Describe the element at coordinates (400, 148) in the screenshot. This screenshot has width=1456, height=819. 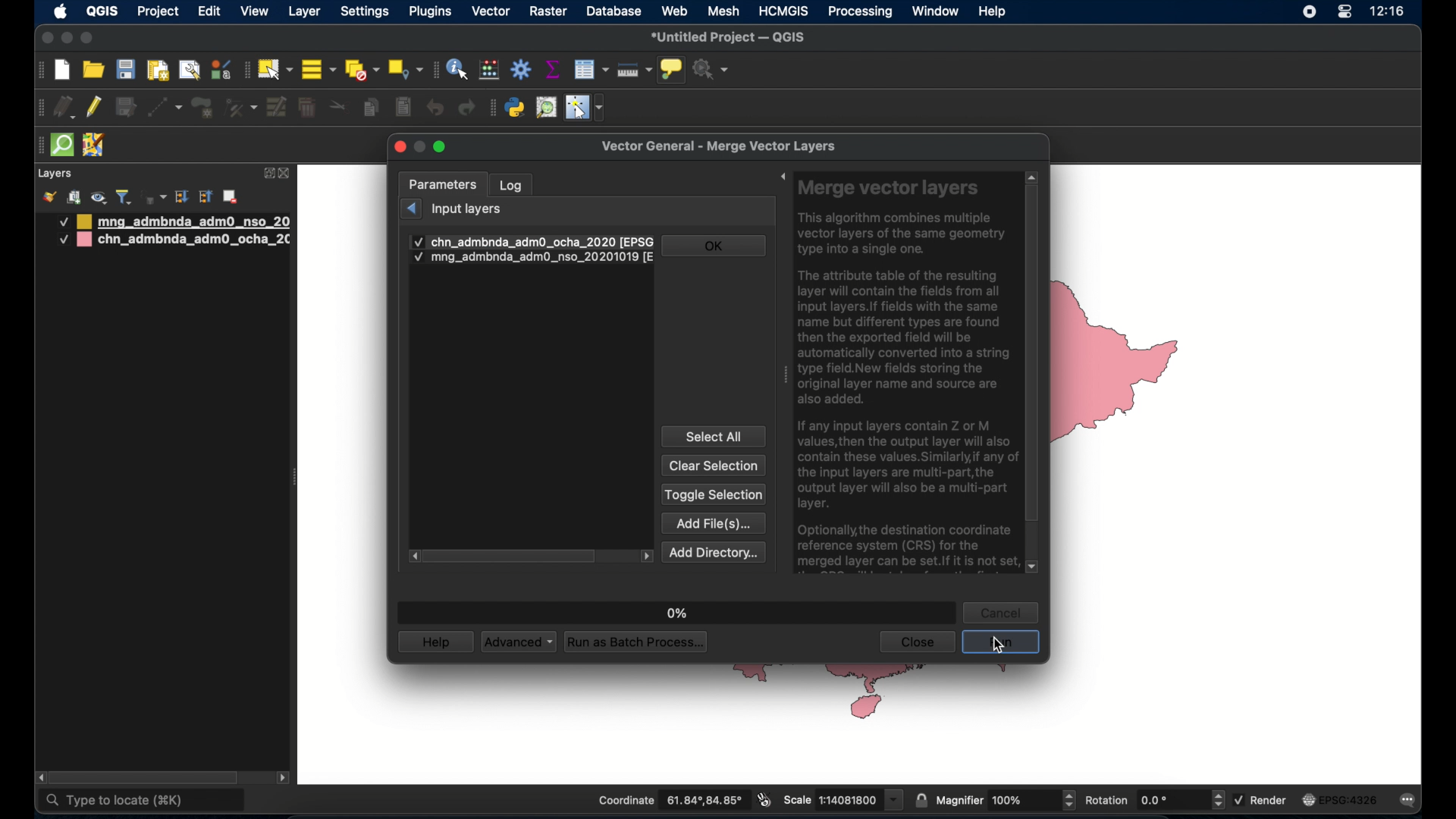
I see `close` at that location.